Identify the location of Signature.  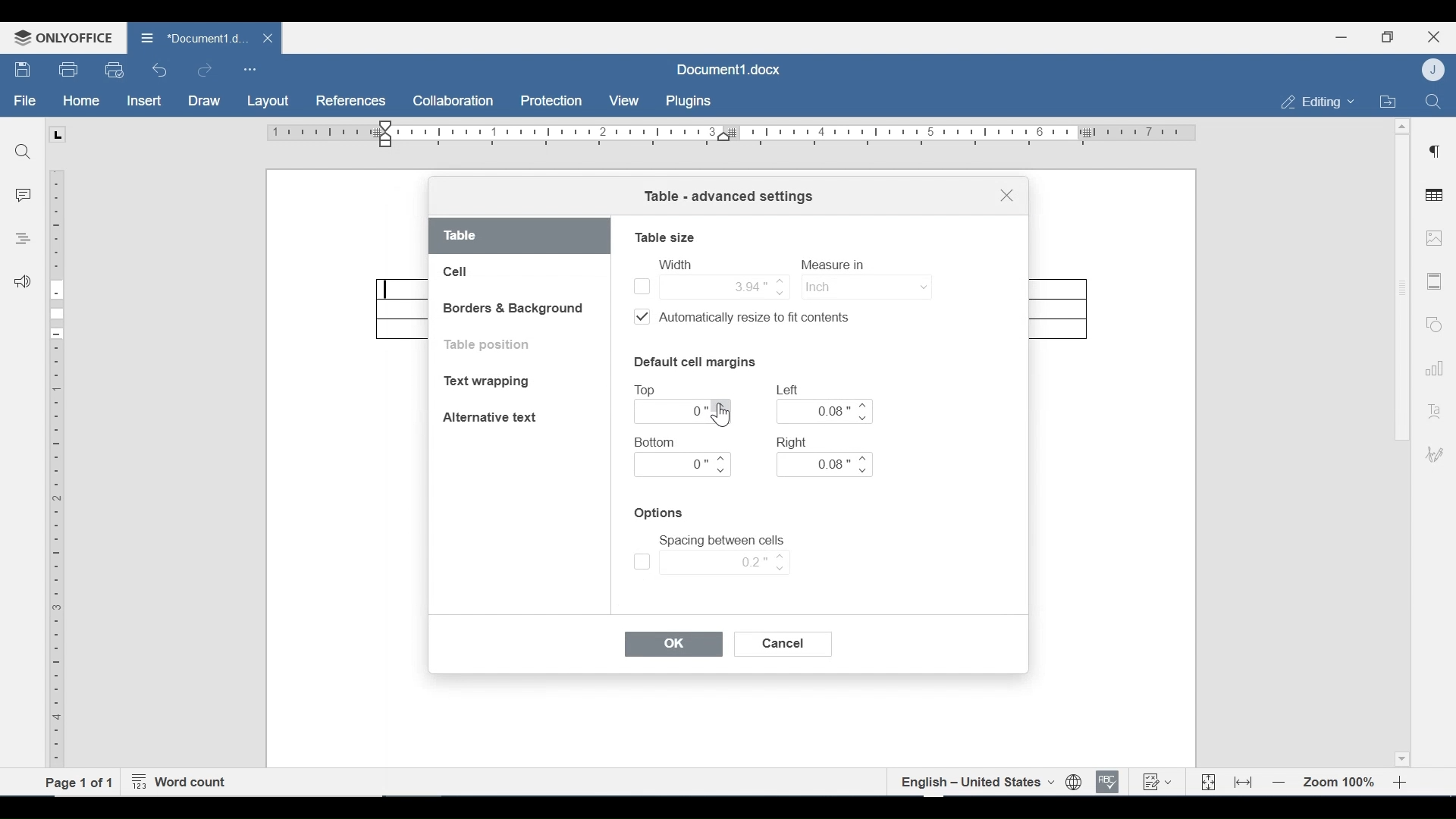
(1432, 456).